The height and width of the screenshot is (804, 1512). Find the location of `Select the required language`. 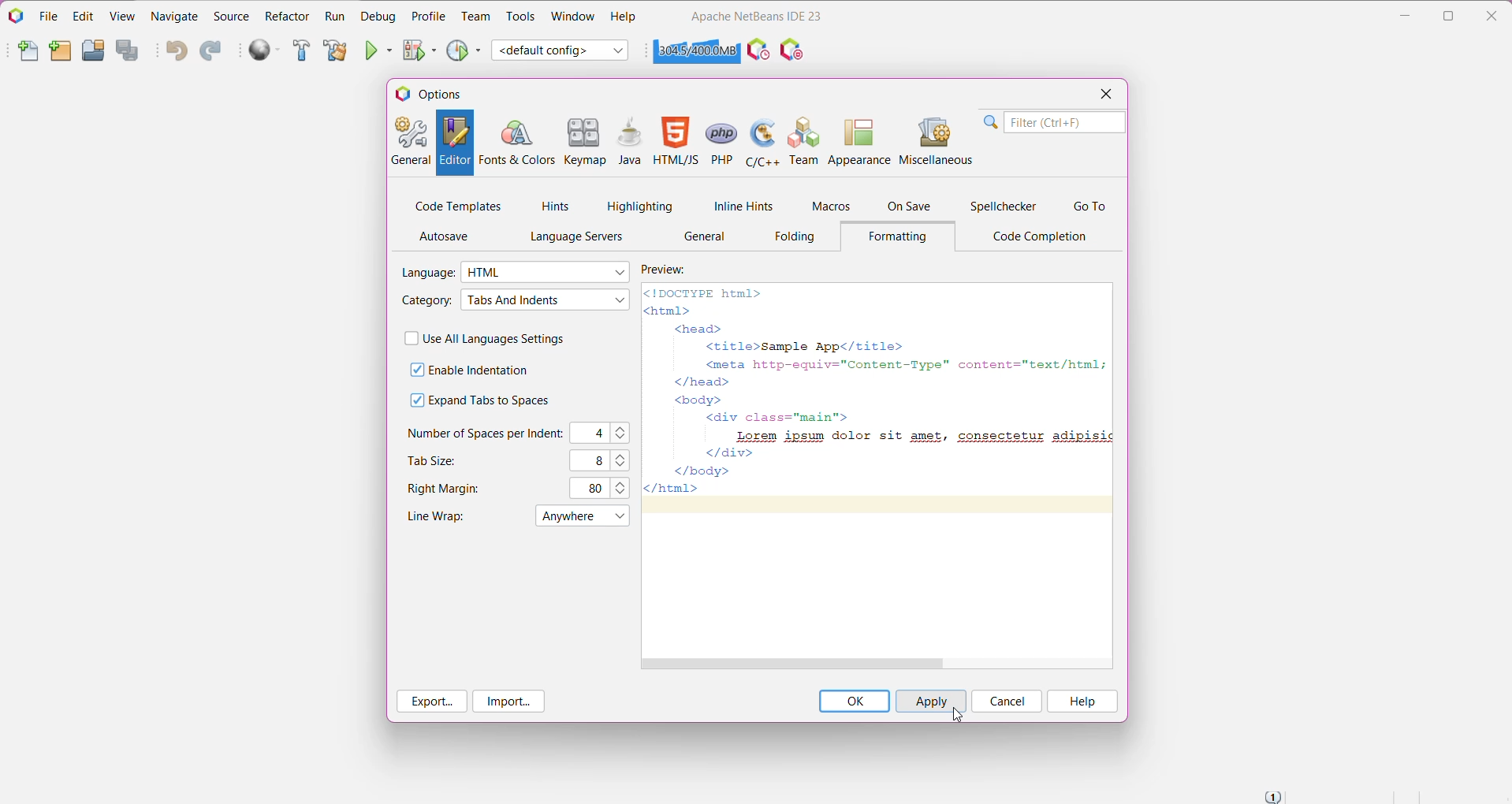

Select the required language is located at coordinates (547, 272).